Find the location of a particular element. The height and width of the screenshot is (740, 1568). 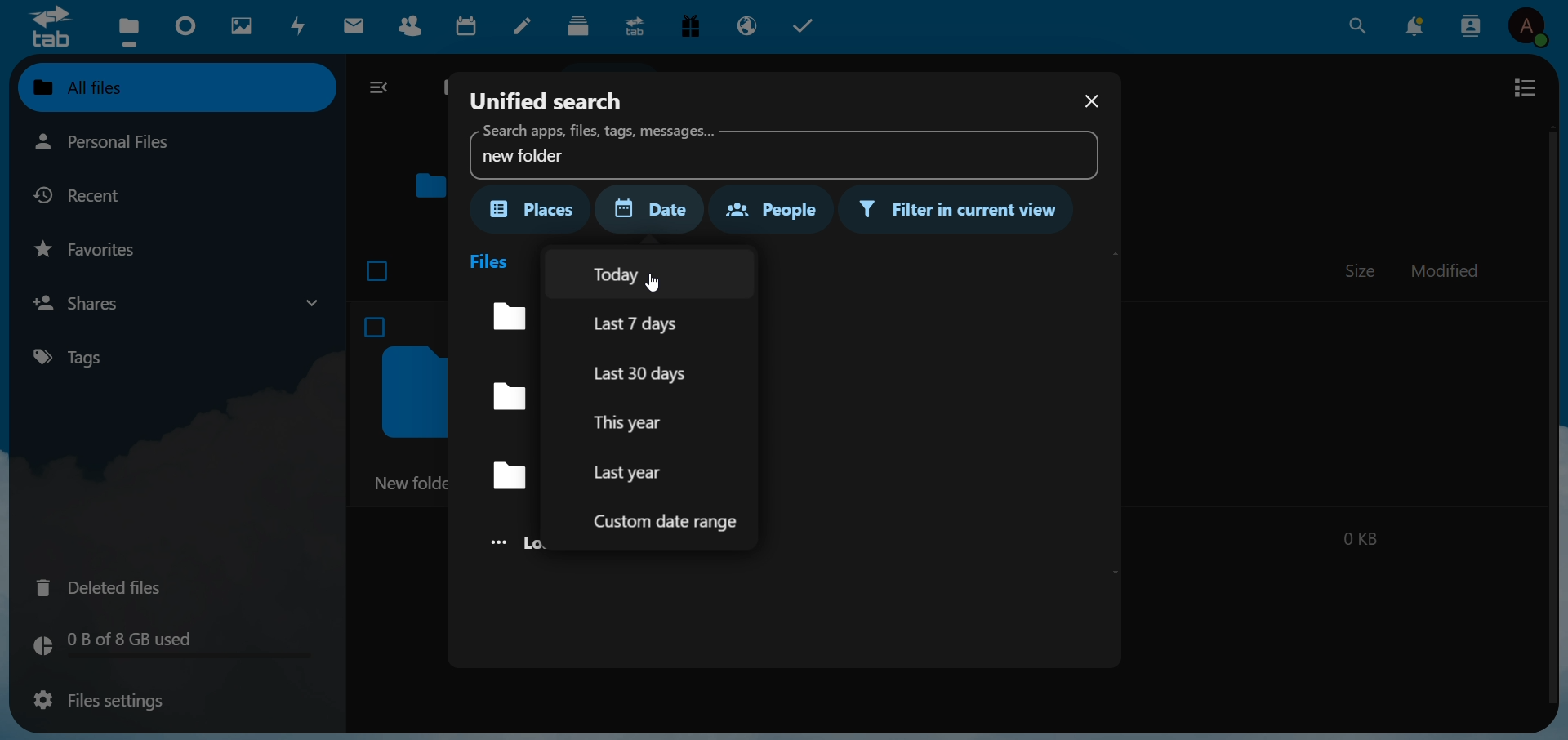

new folder is located at coordinates (500, 475).